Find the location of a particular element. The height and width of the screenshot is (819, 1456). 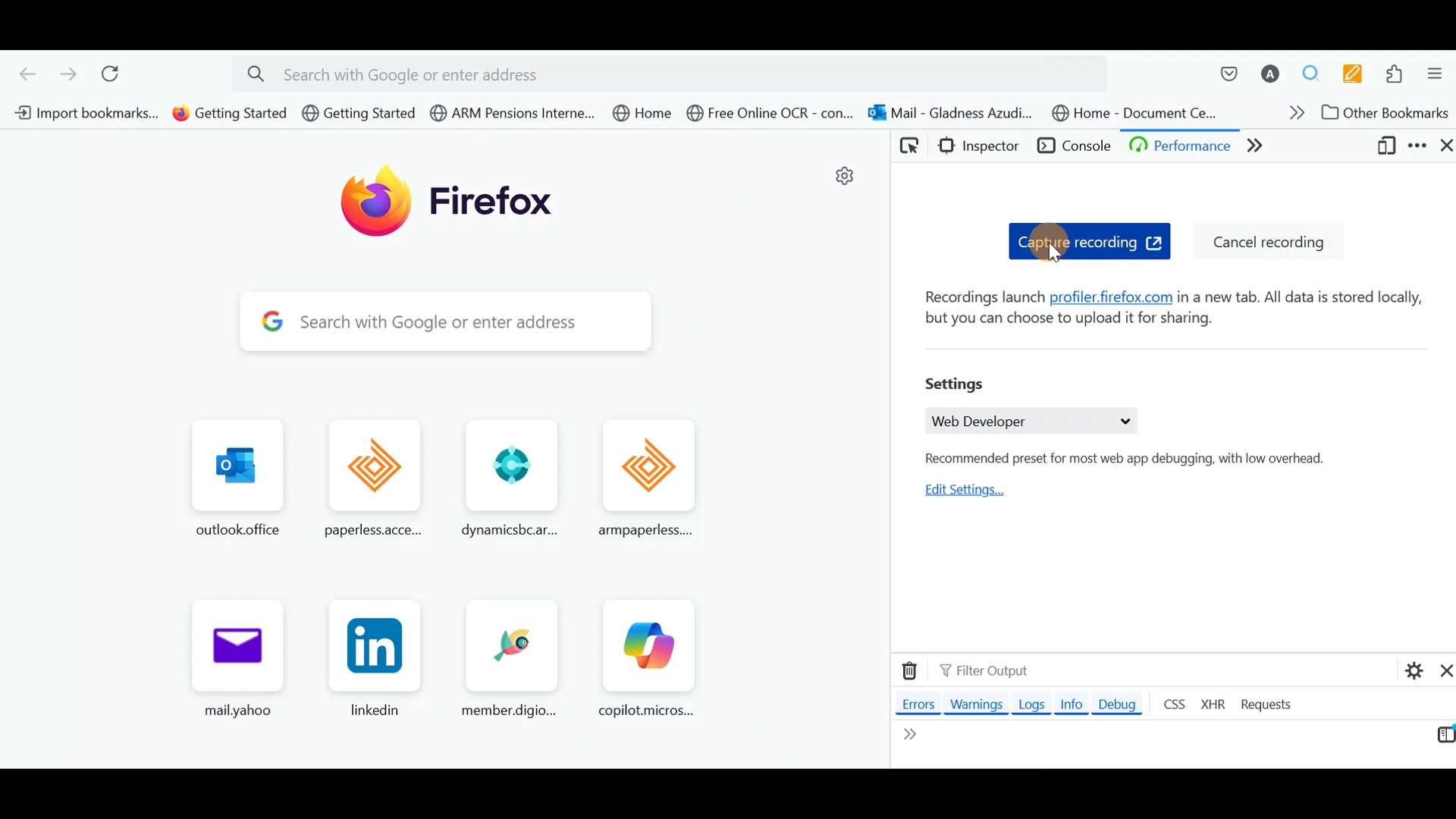

Settings is located at coordinates (972, 381).